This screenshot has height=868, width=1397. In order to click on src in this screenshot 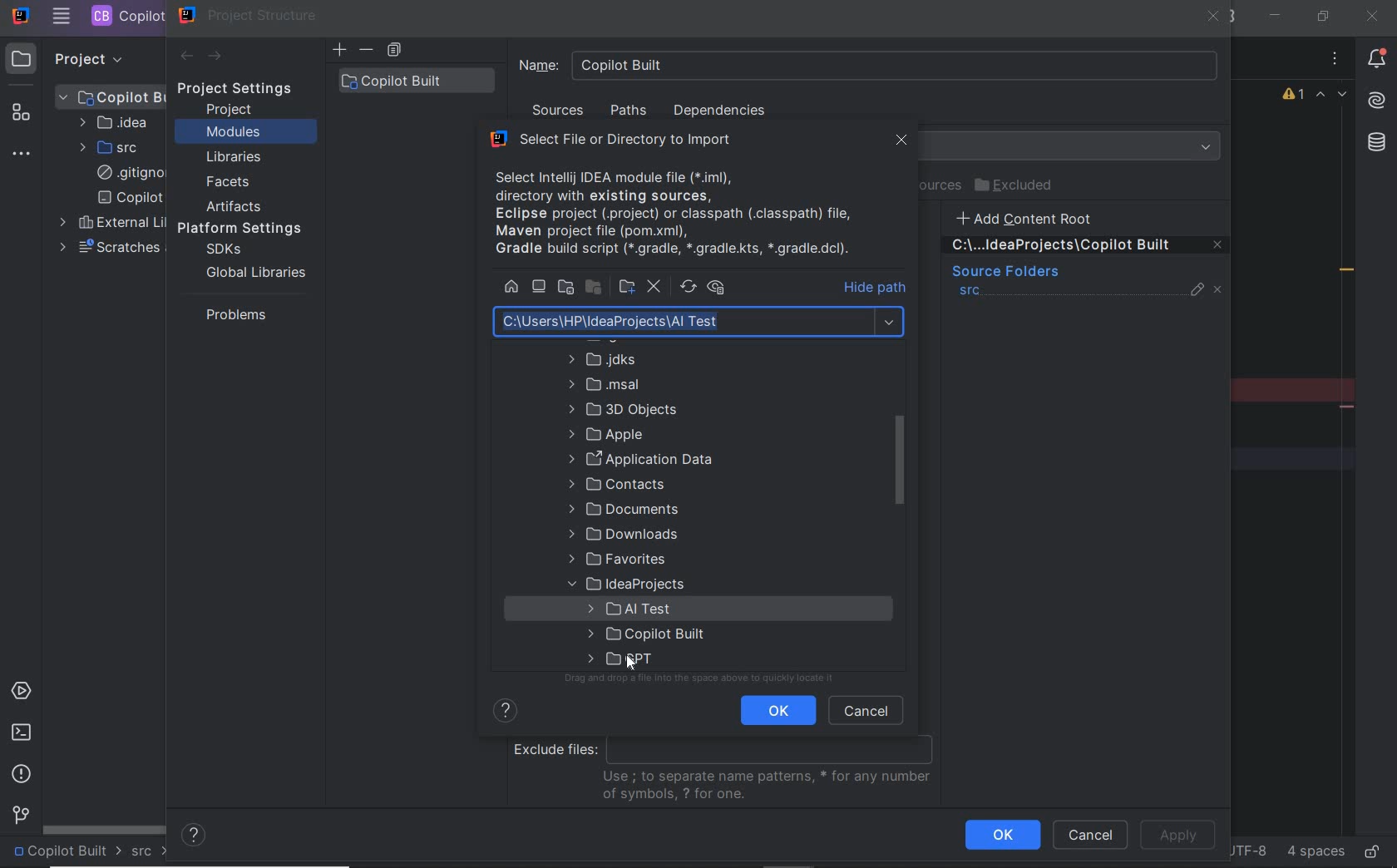, I will do `click(151, 852)`.